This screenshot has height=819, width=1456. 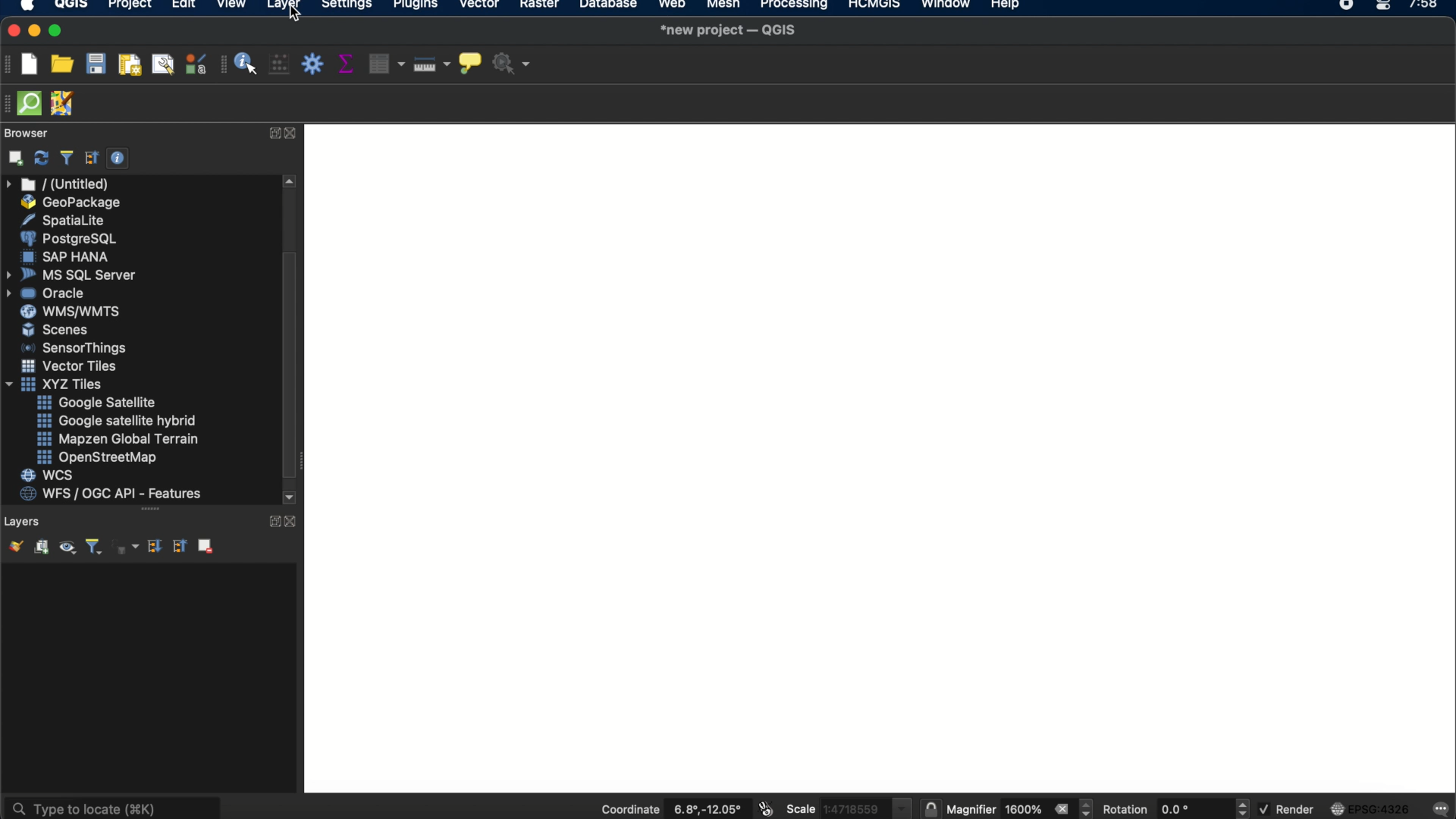 I want to click on add selected layers, so click(x=13, y=158).